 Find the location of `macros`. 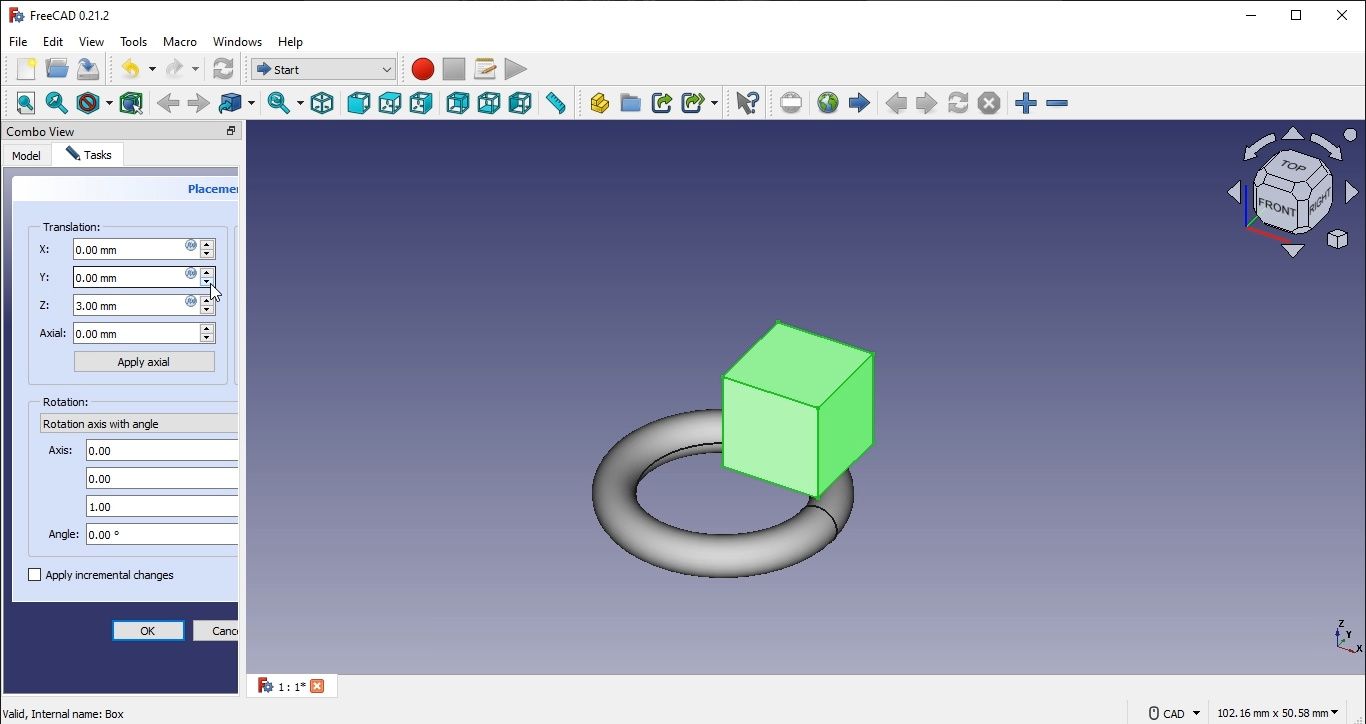

macros is located at coordinates (483, 70).